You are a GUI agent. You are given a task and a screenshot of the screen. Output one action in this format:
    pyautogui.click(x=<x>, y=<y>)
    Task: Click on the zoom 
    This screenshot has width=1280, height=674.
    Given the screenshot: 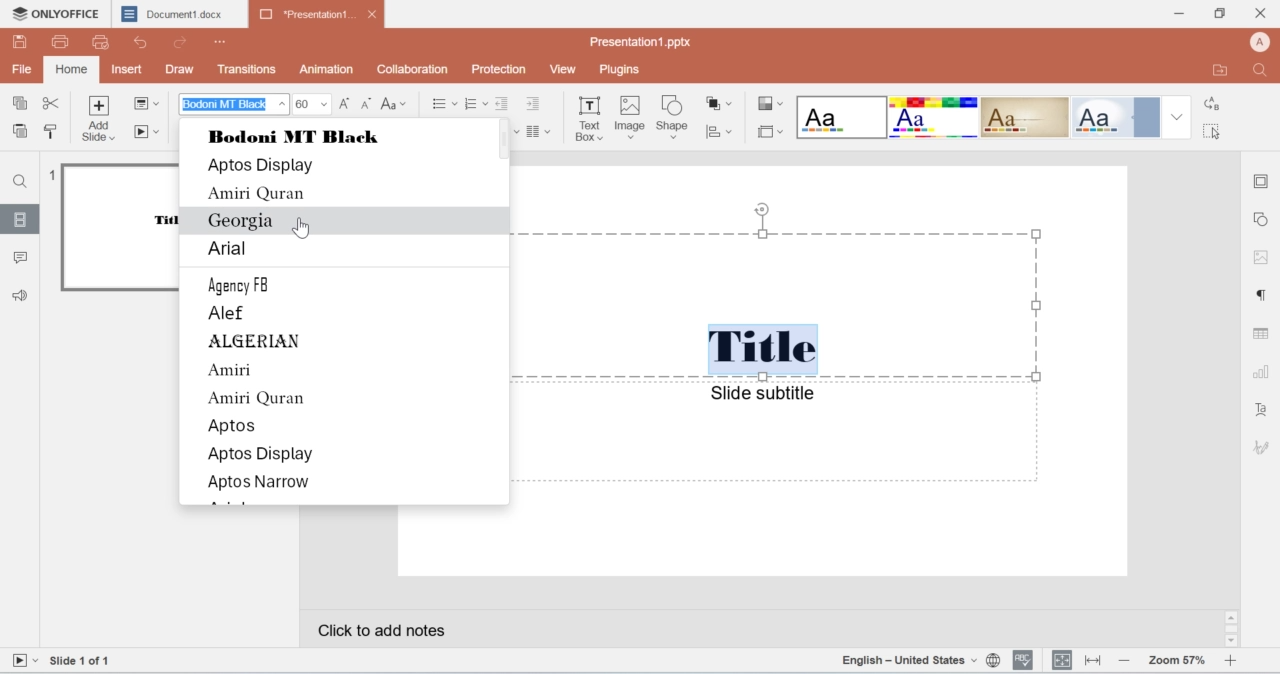 What is the action you would take?
    pyautogui.click(x=1176, y=661)
    